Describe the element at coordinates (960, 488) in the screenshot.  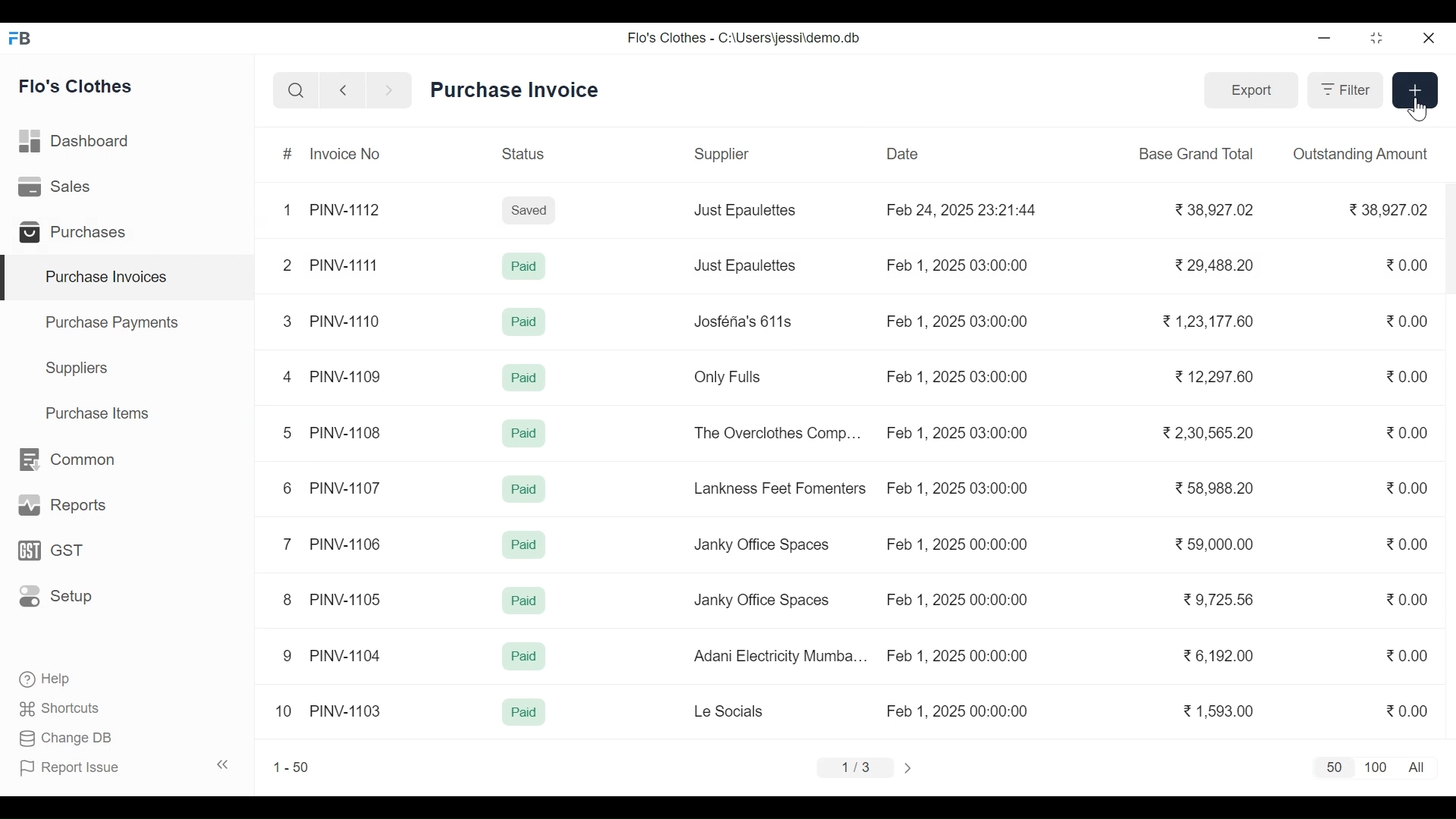
I see `Feb 1, 2025 03:00:00` at that location.